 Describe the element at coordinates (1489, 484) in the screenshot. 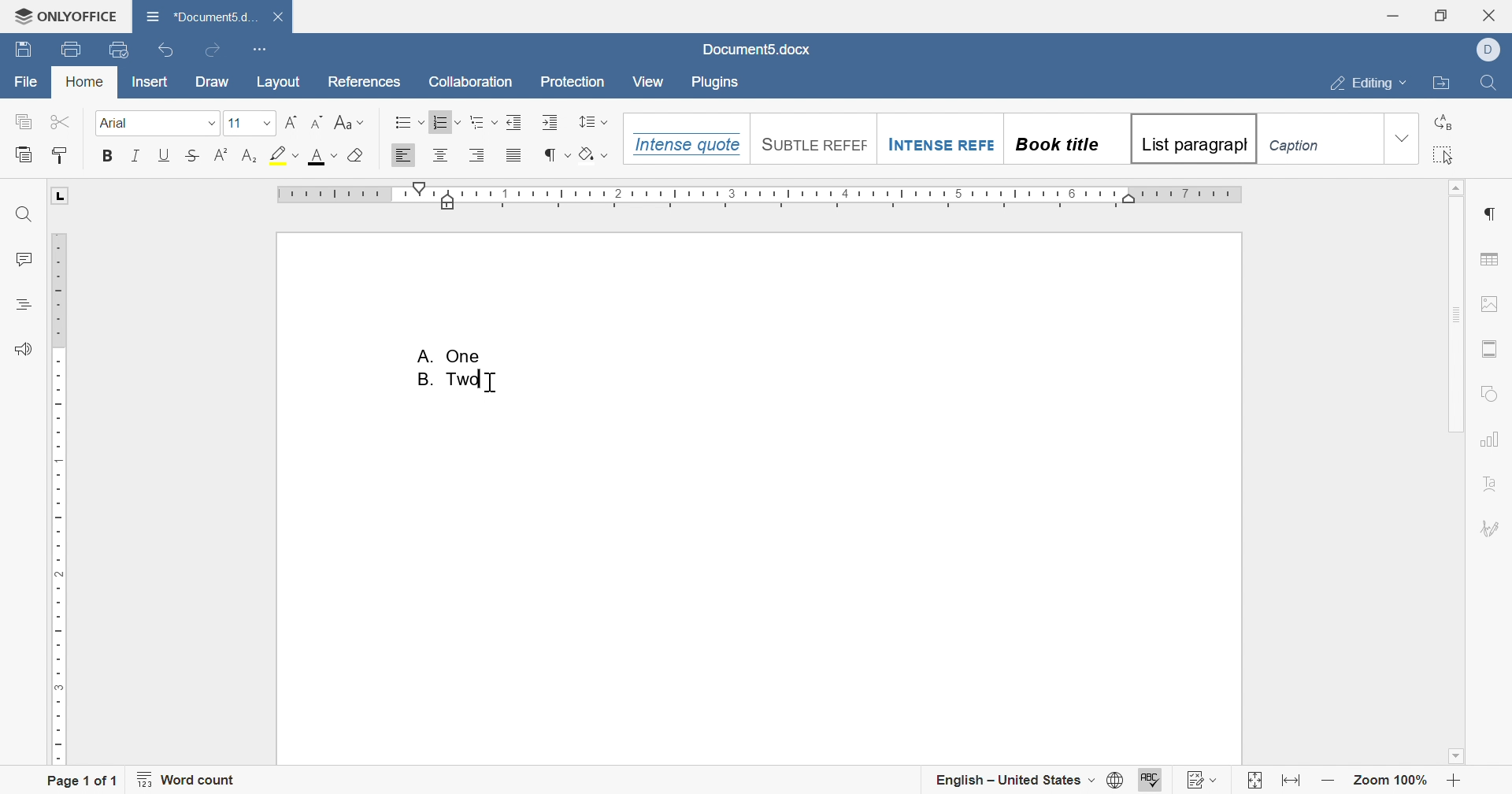

I see `text art settings` at that location.